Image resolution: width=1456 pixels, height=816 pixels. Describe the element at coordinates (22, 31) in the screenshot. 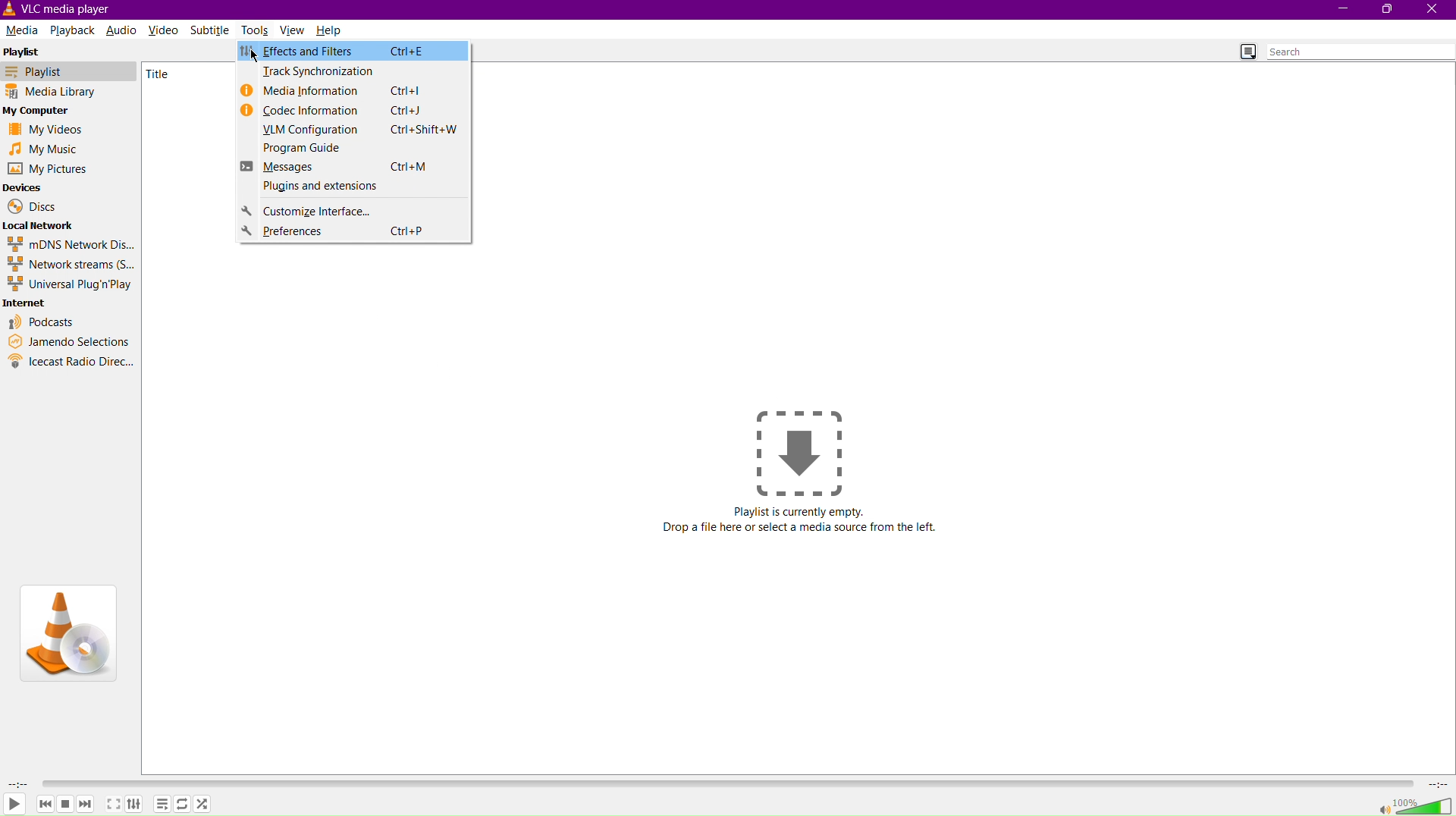

I see `Media` at that location.